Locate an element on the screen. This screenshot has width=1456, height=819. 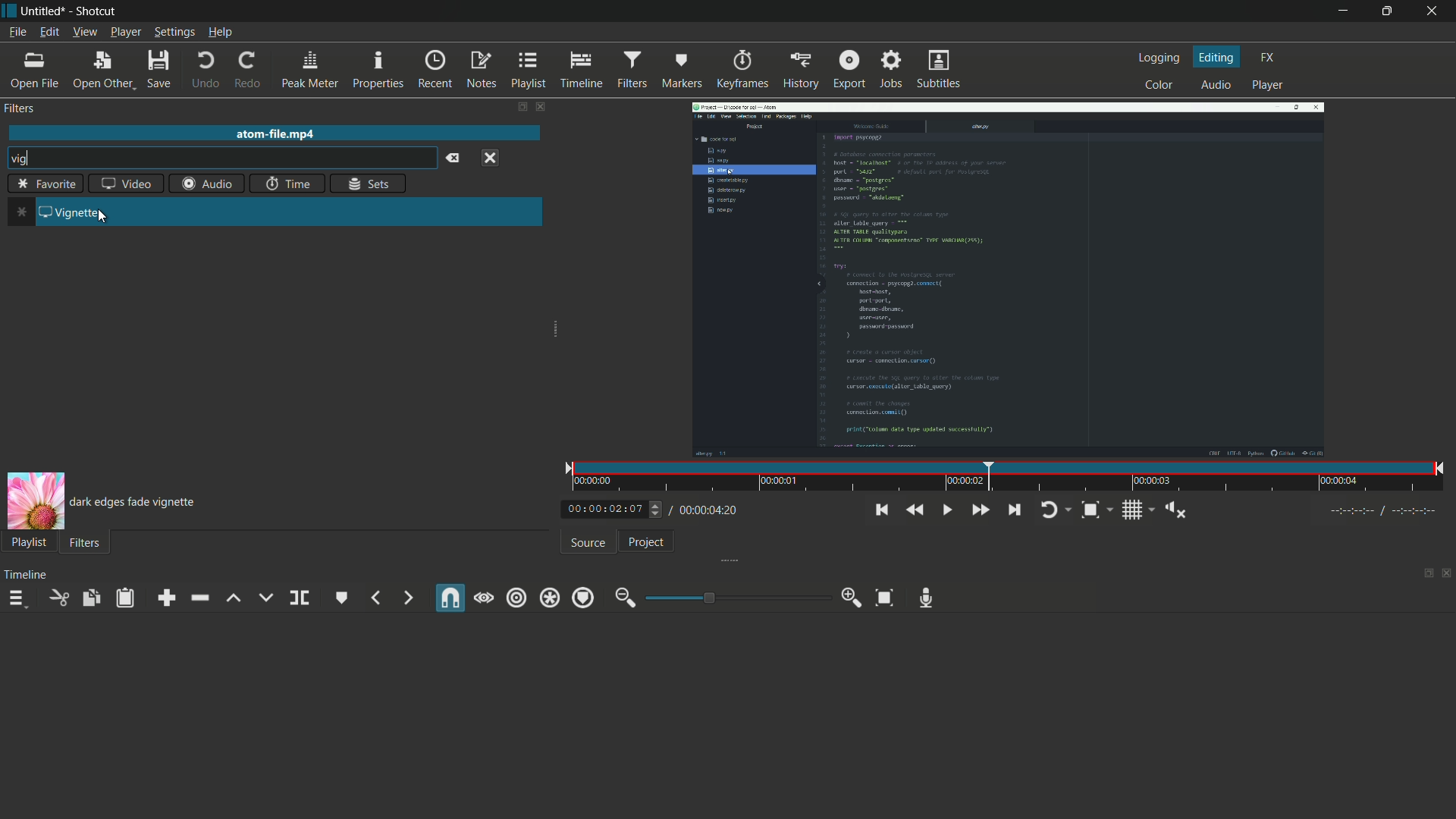
previous marker is located at coordinates (375, 598).